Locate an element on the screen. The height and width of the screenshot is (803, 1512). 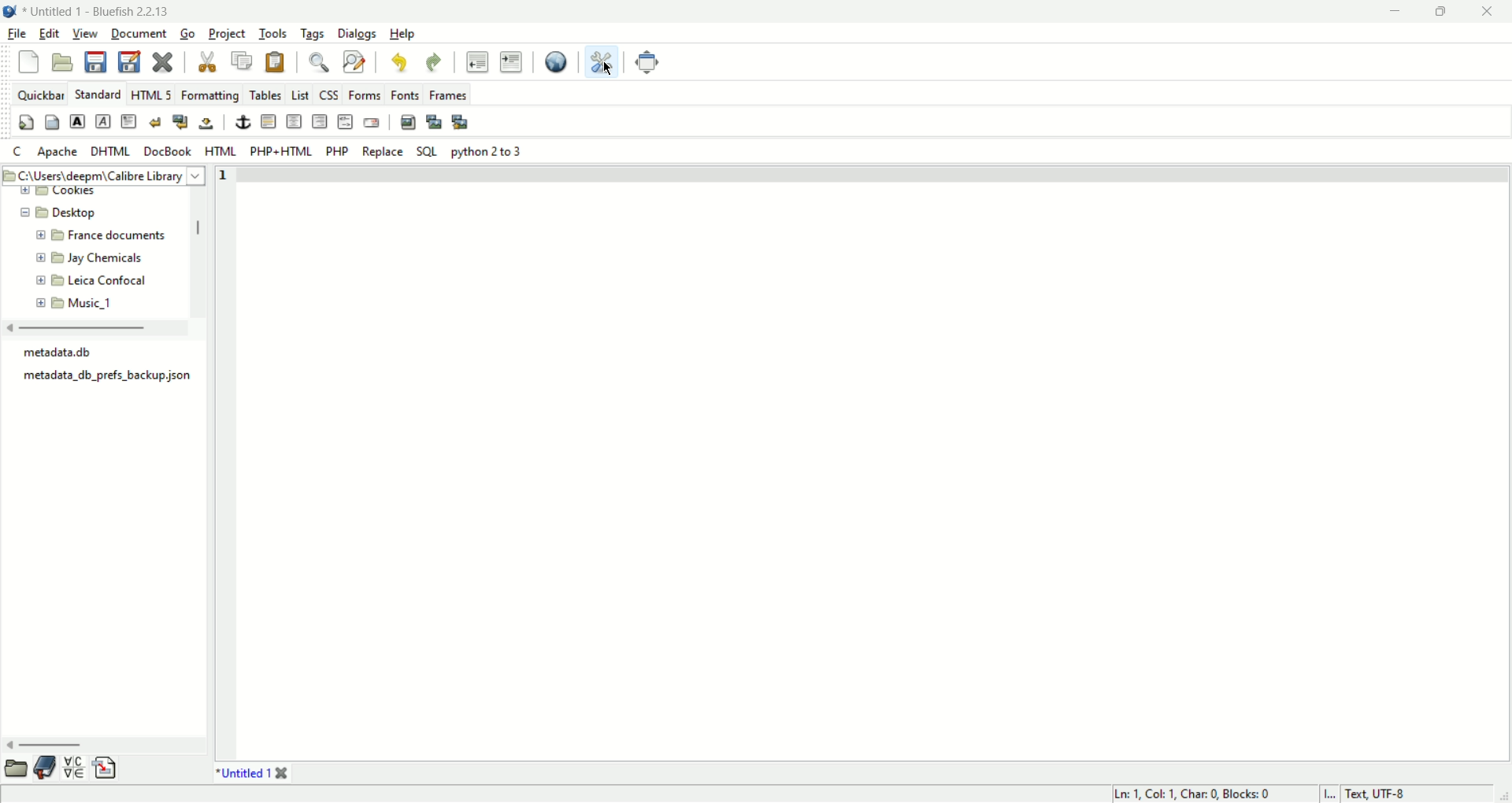
view in browser is located at coordinates (554, 63).